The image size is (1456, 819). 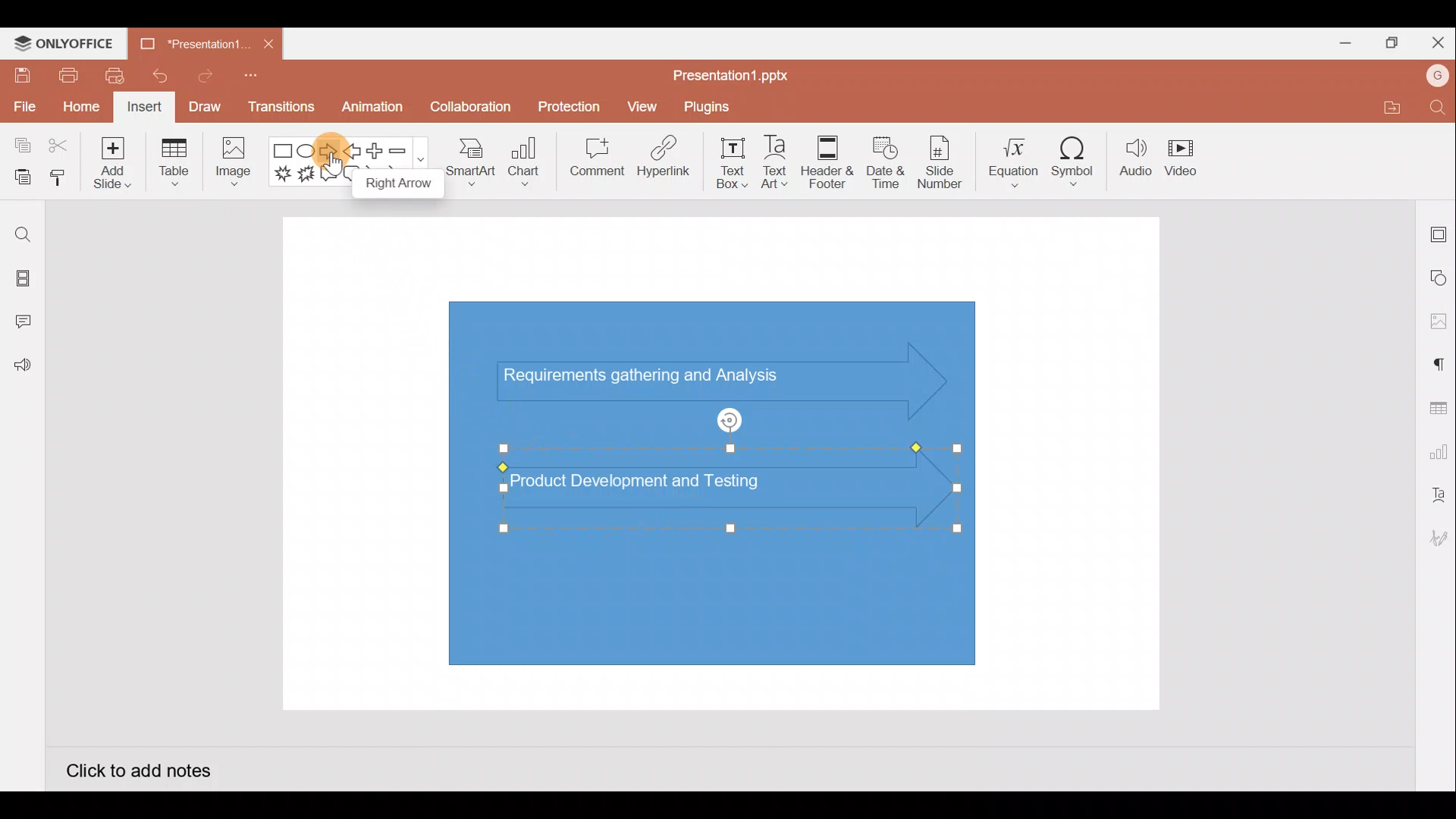 I want to click on Symbol, so click(x=1074, y=158).